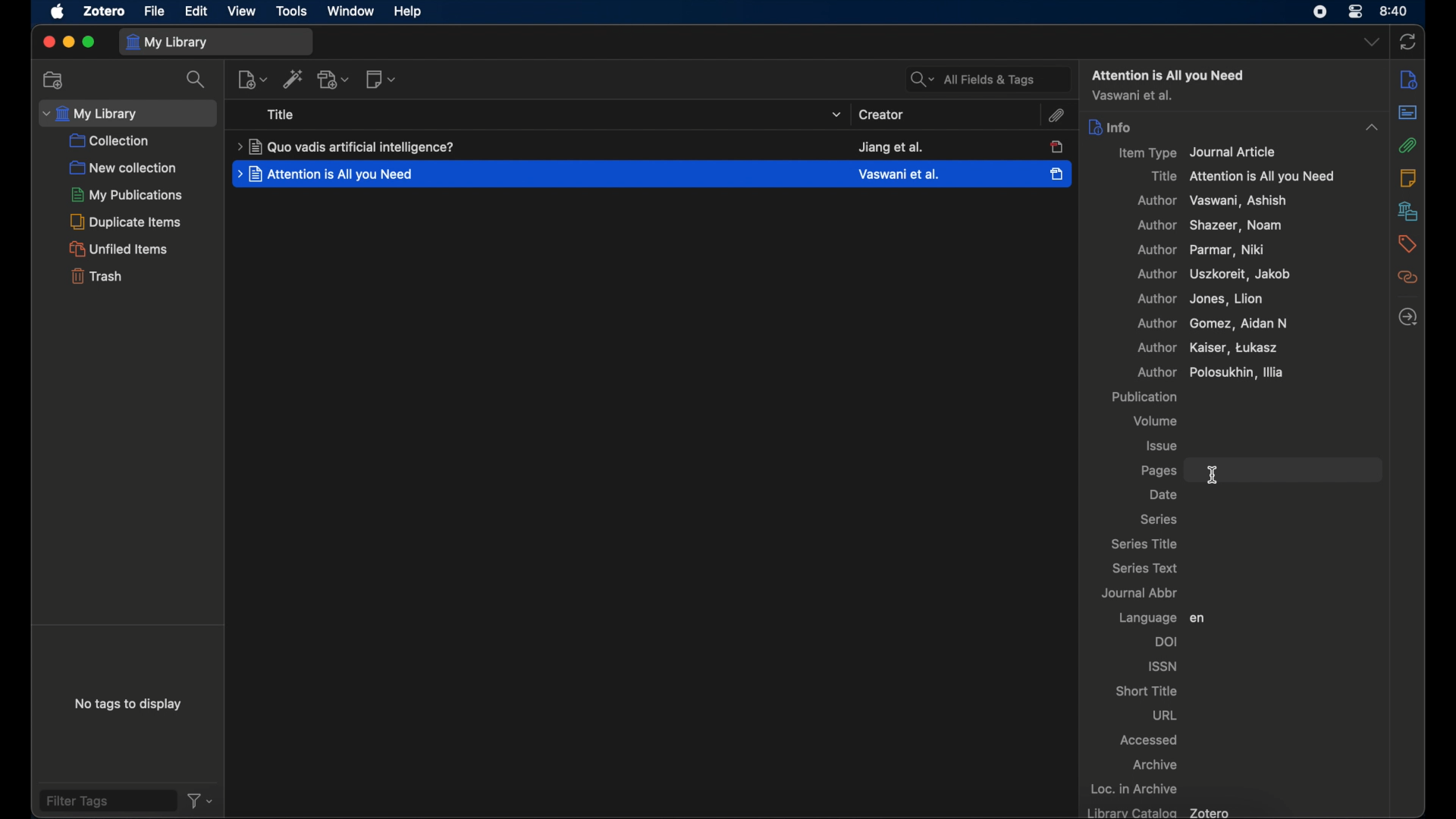 This screenshot has height=819, width=1456. Describe the element at coordinates (1357, 12) in the screenshot. I see `control center` at that location.